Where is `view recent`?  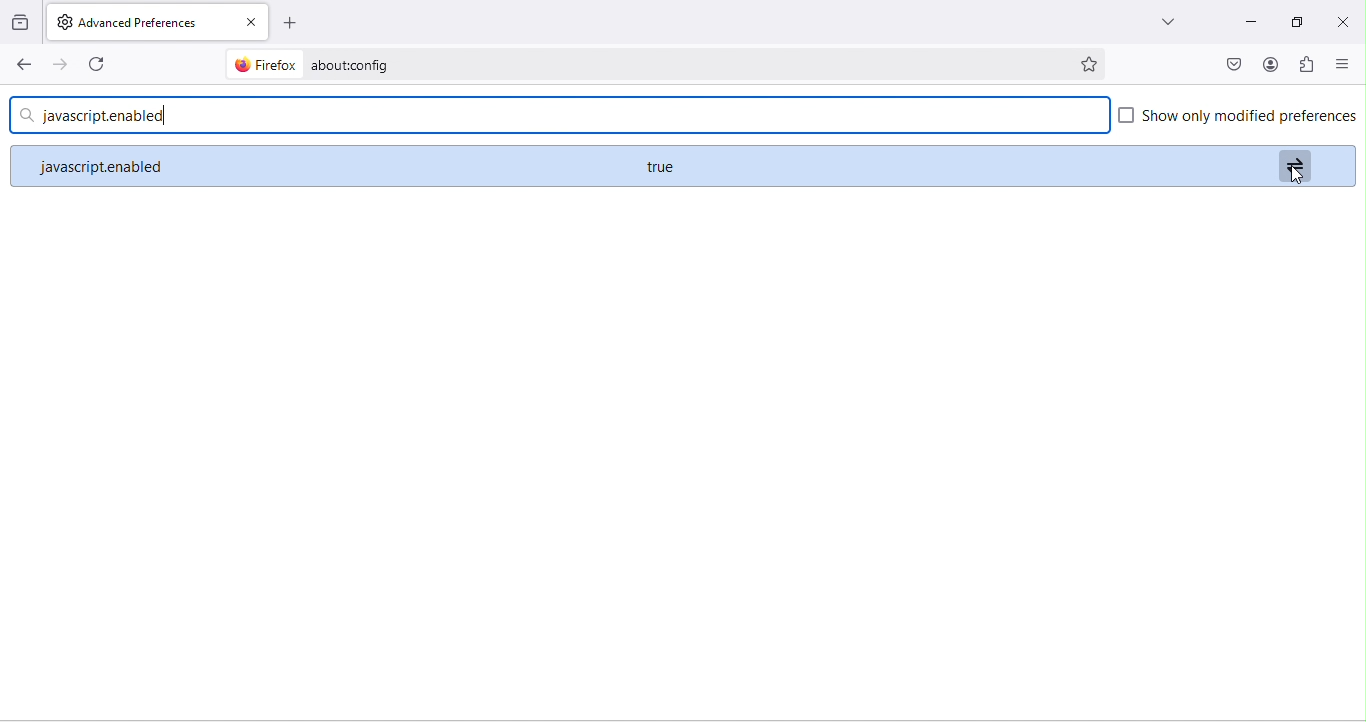 view recent is located at coordinates (18, 23).